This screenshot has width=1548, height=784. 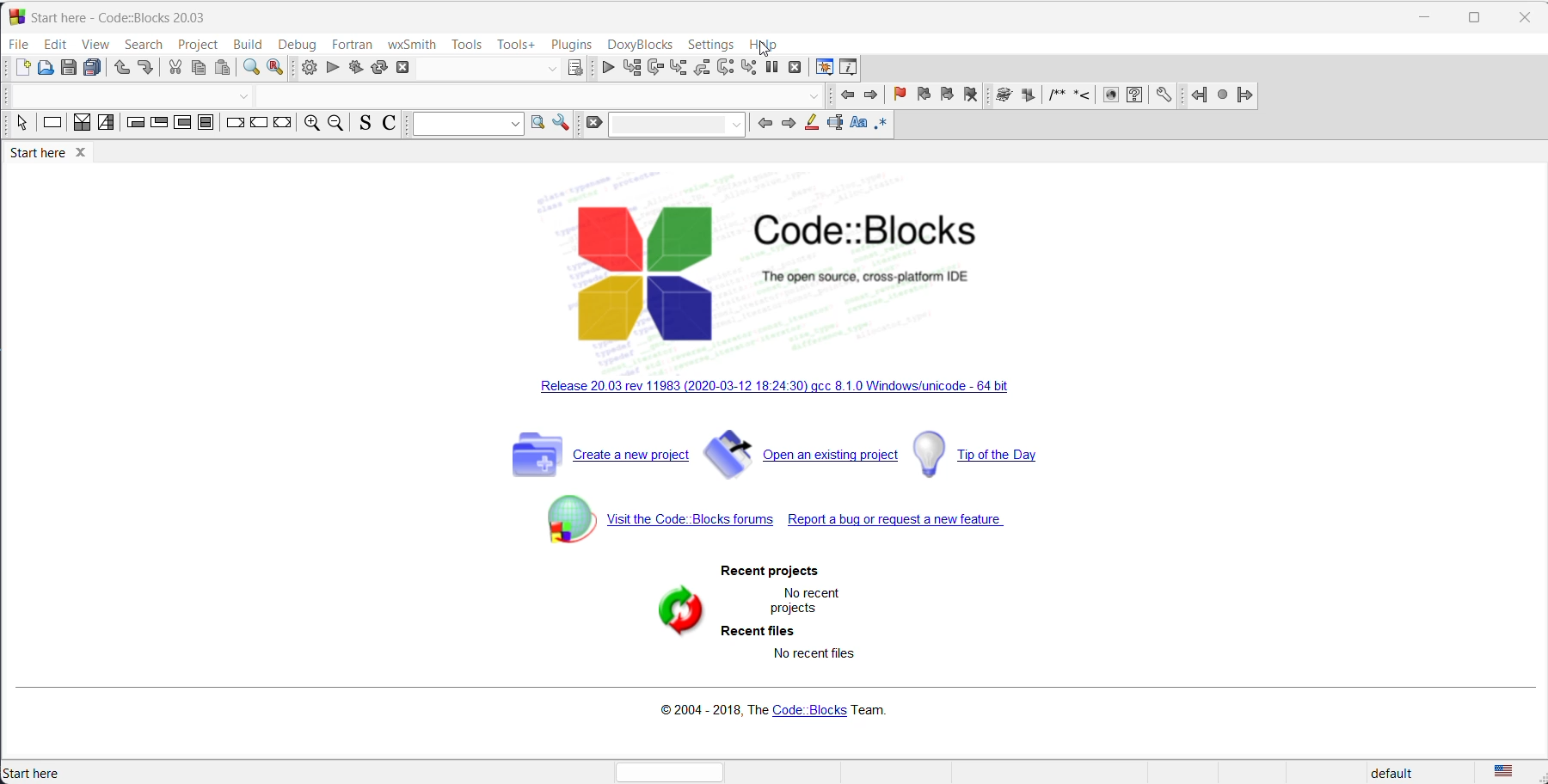 I want to click on edit, so click(x=56, y=43).